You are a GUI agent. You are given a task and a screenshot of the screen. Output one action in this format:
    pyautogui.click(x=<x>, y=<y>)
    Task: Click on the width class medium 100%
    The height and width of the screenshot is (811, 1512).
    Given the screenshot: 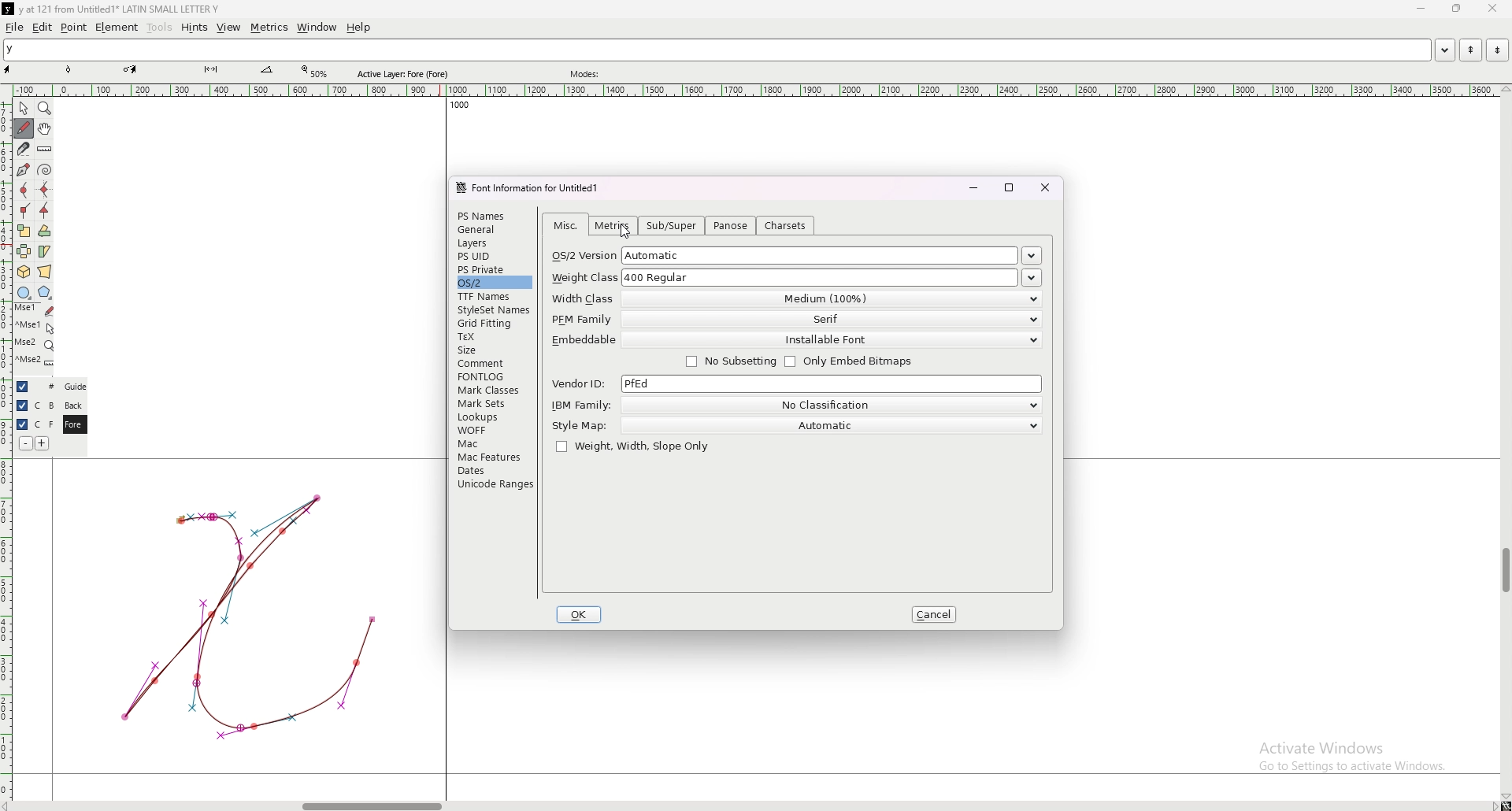 What is the action you would take?
    pyautogui.click(x=795, y=298)
    